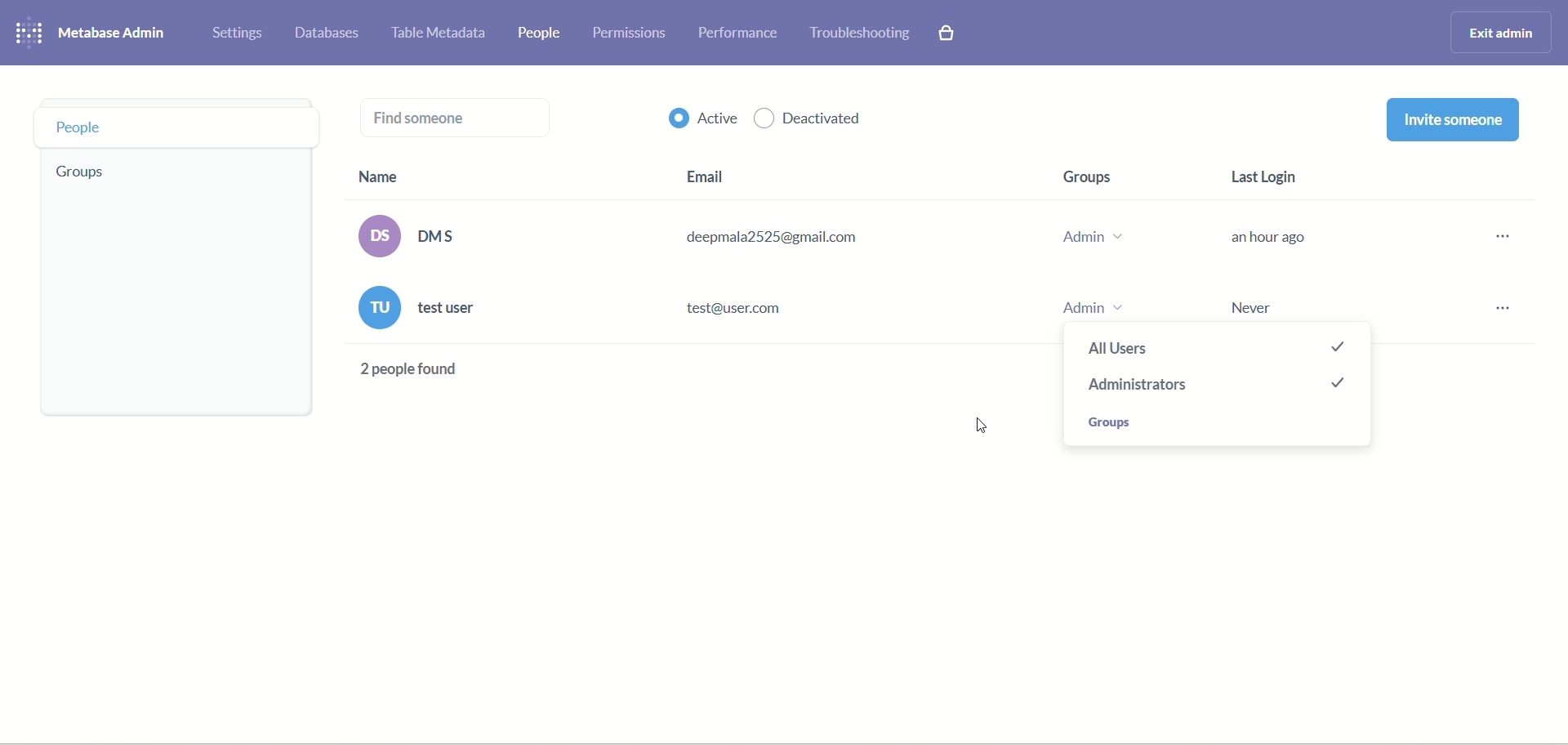  I want to click on name, so click(418, 280).